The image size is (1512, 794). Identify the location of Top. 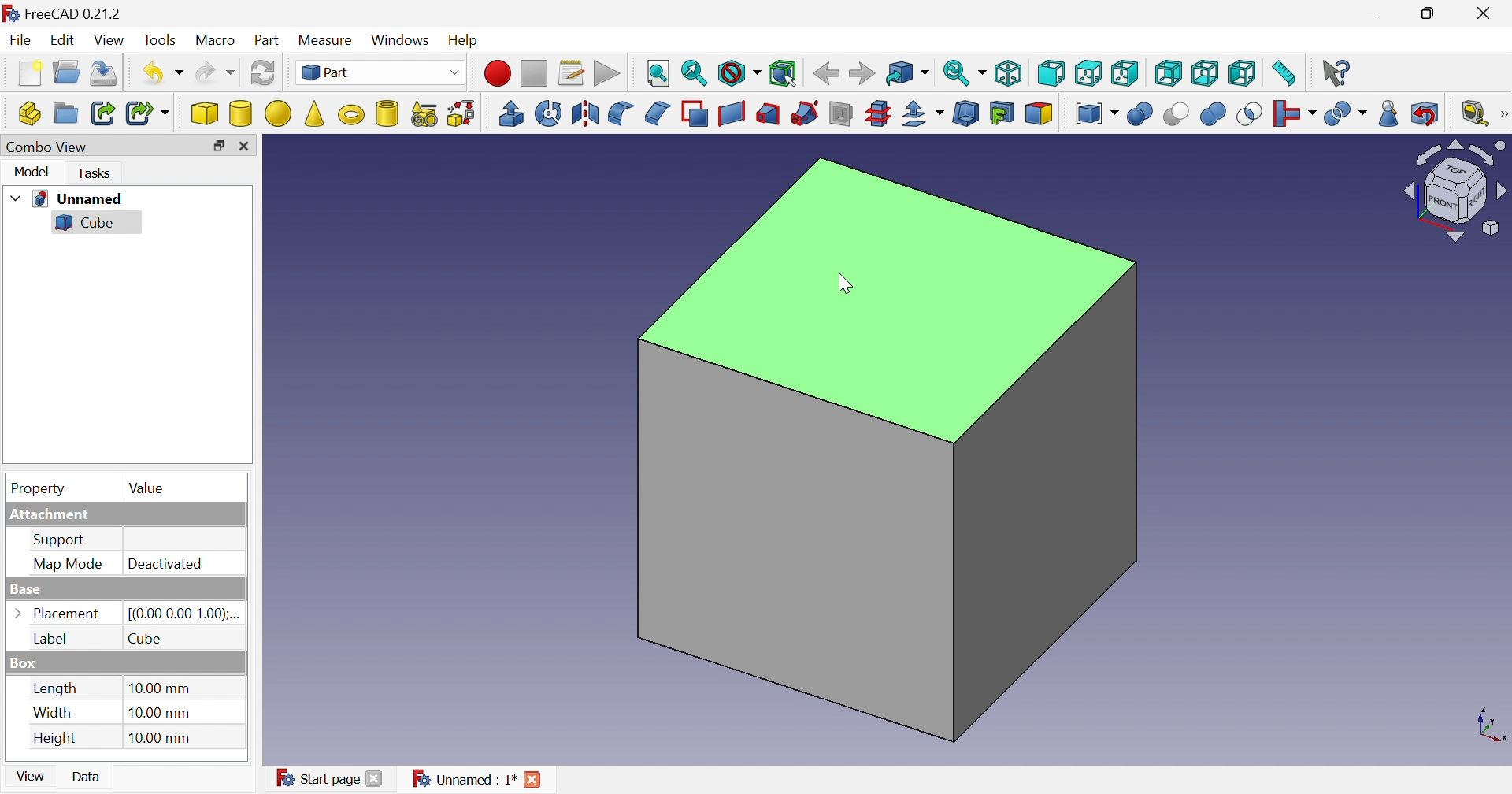
(1088, 72).